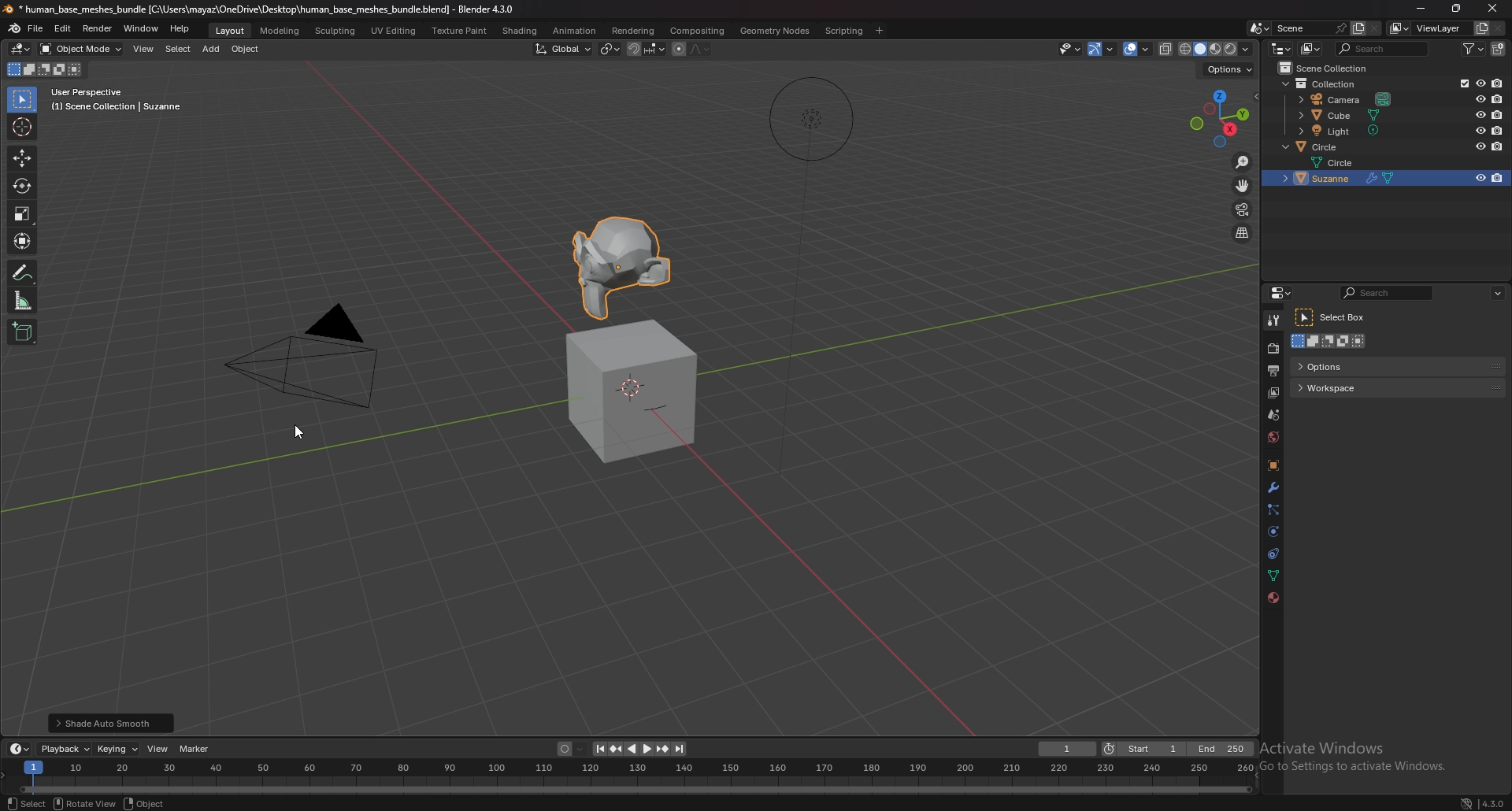 The image size is (1512, 811). What do you see at coordinates (298, 434) in the screenshot?
I see `cursor` at bounding box center [298, 434].